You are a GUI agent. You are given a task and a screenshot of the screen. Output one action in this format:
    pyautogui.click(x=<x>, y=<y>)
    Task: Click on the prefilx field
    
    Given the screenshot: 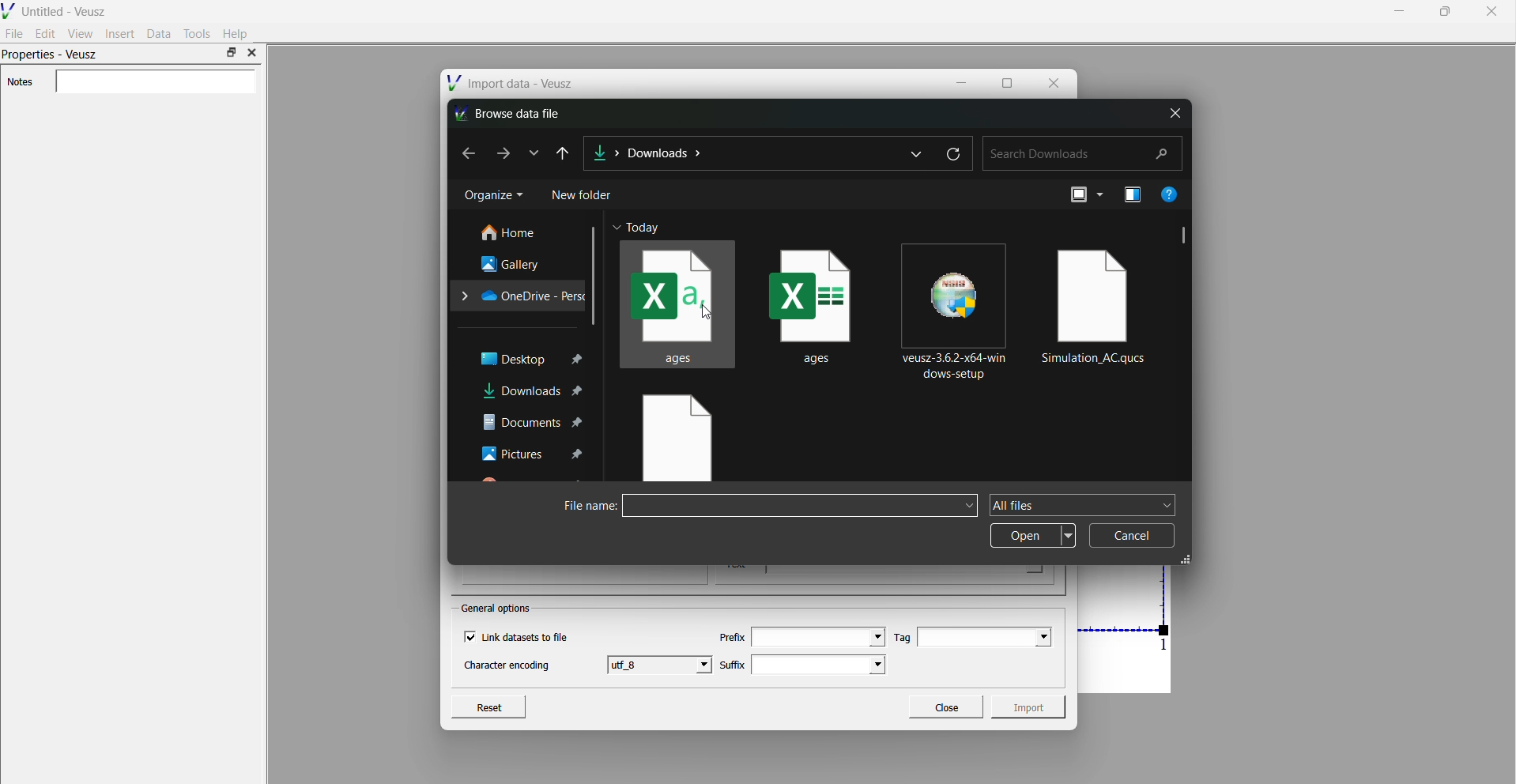 What is the action you would take?
    pyautogui.click(x=816, y=637)
    